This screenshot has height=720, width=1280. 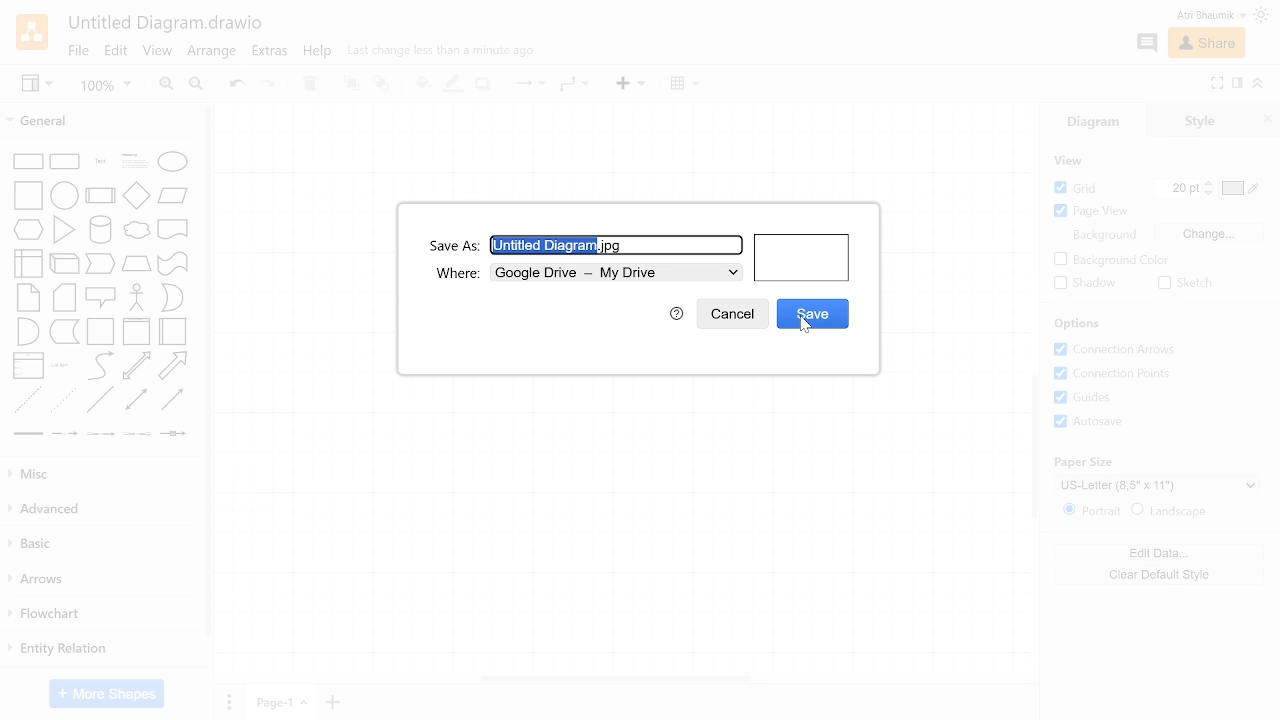 I want to click on Connection arrows, so click(x=1122, y=350).